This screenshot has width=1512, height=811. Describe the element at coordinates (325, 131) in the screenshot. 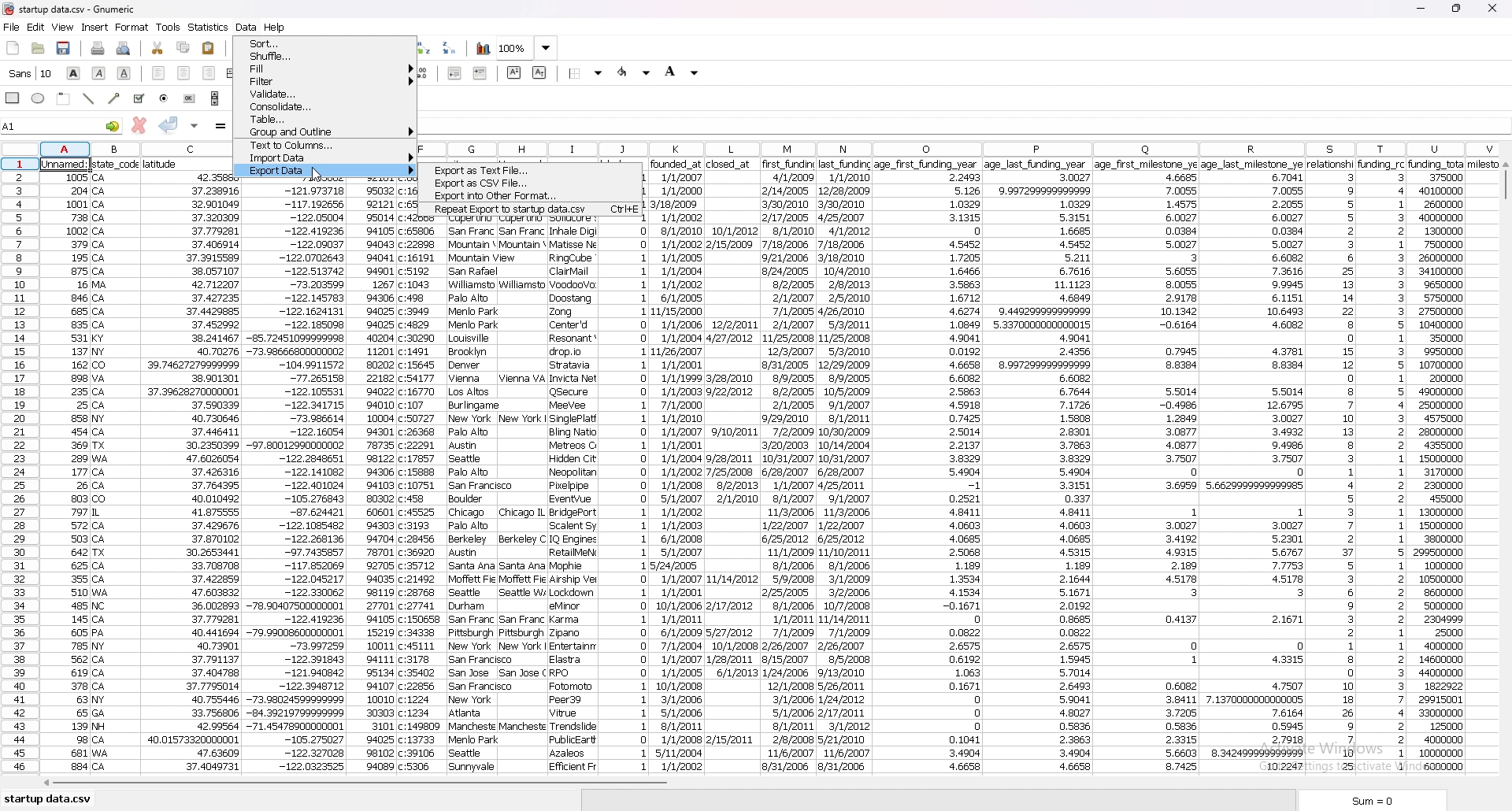

I see `group and outline` at that location.